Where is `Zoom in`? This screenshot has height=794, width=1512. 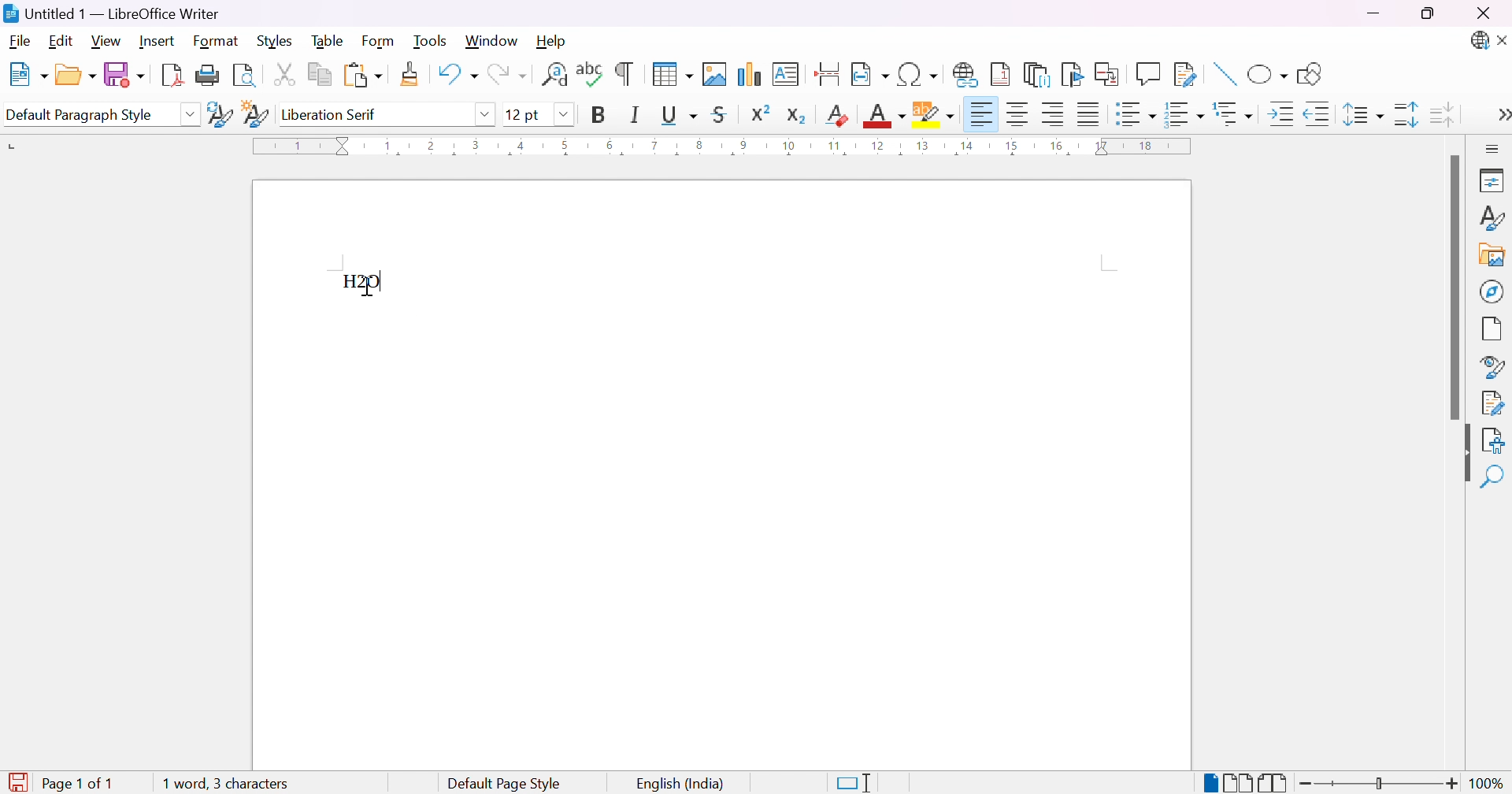
Zoom in is located at coordinates (1451, 785).